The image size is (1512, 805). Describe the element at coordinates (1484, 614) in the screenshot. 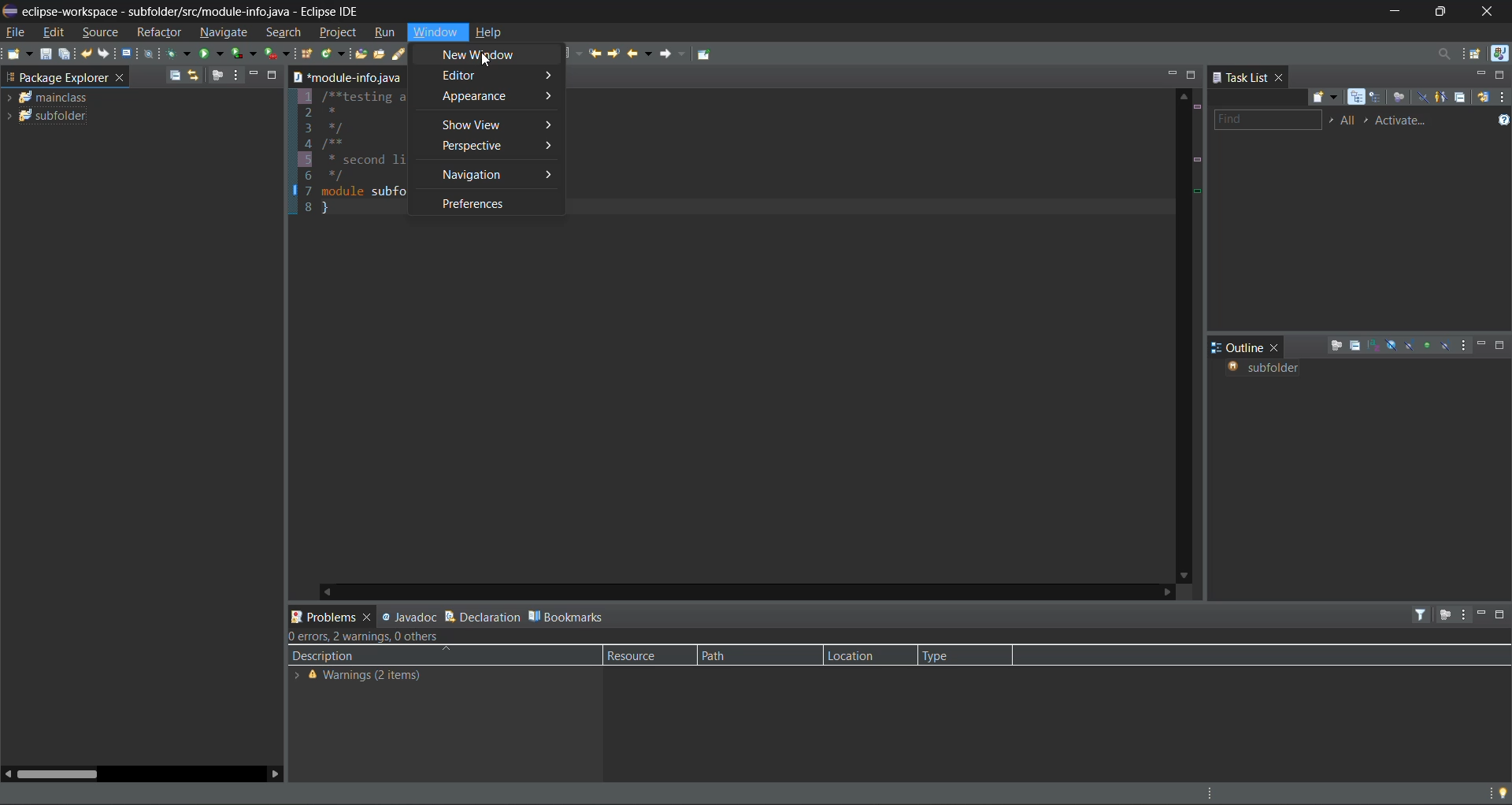

I see `minimize` at that location.